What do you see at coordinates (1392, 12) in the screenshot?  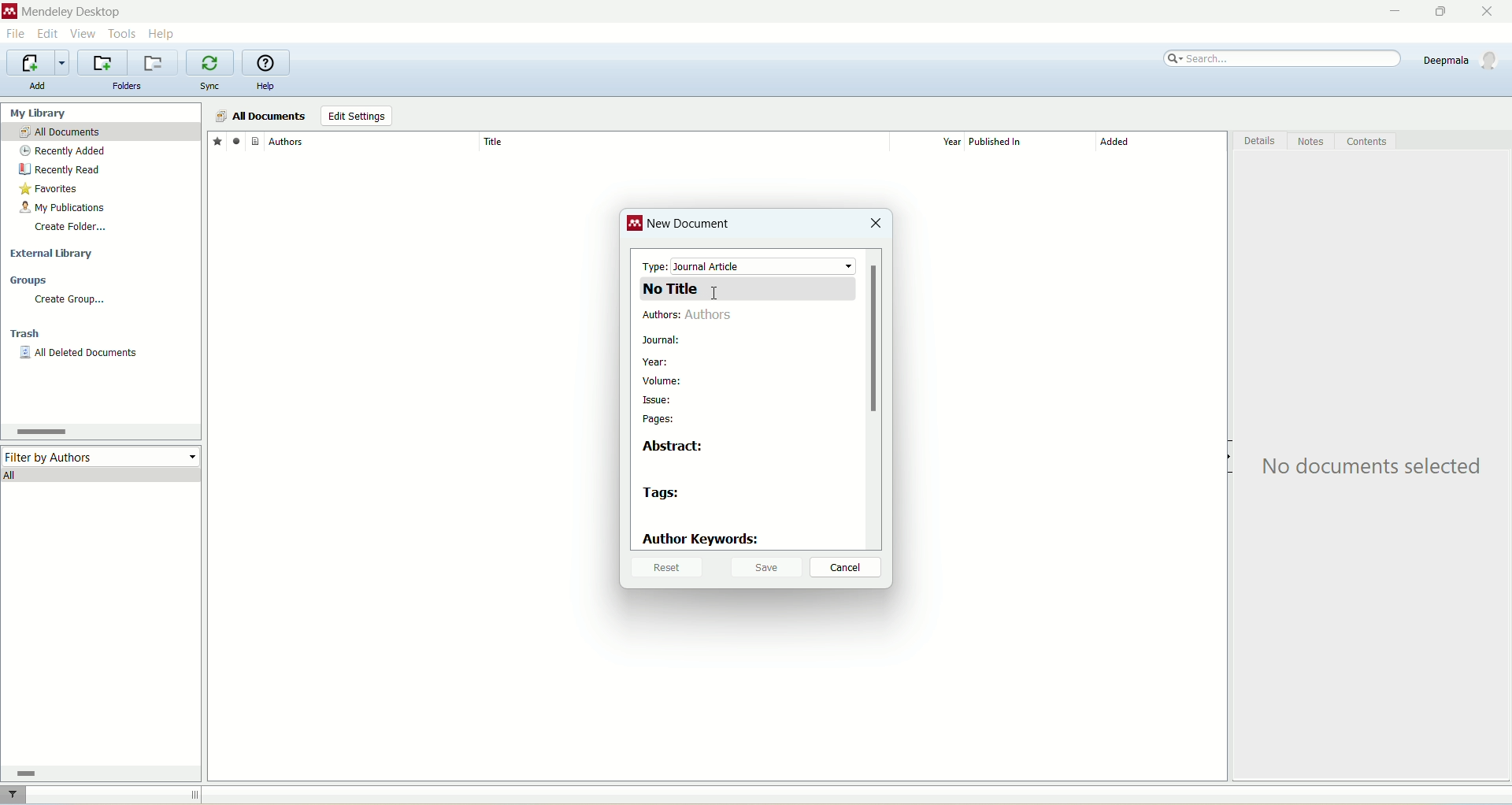 I see `minimize` at bounding box center [1392, 12].